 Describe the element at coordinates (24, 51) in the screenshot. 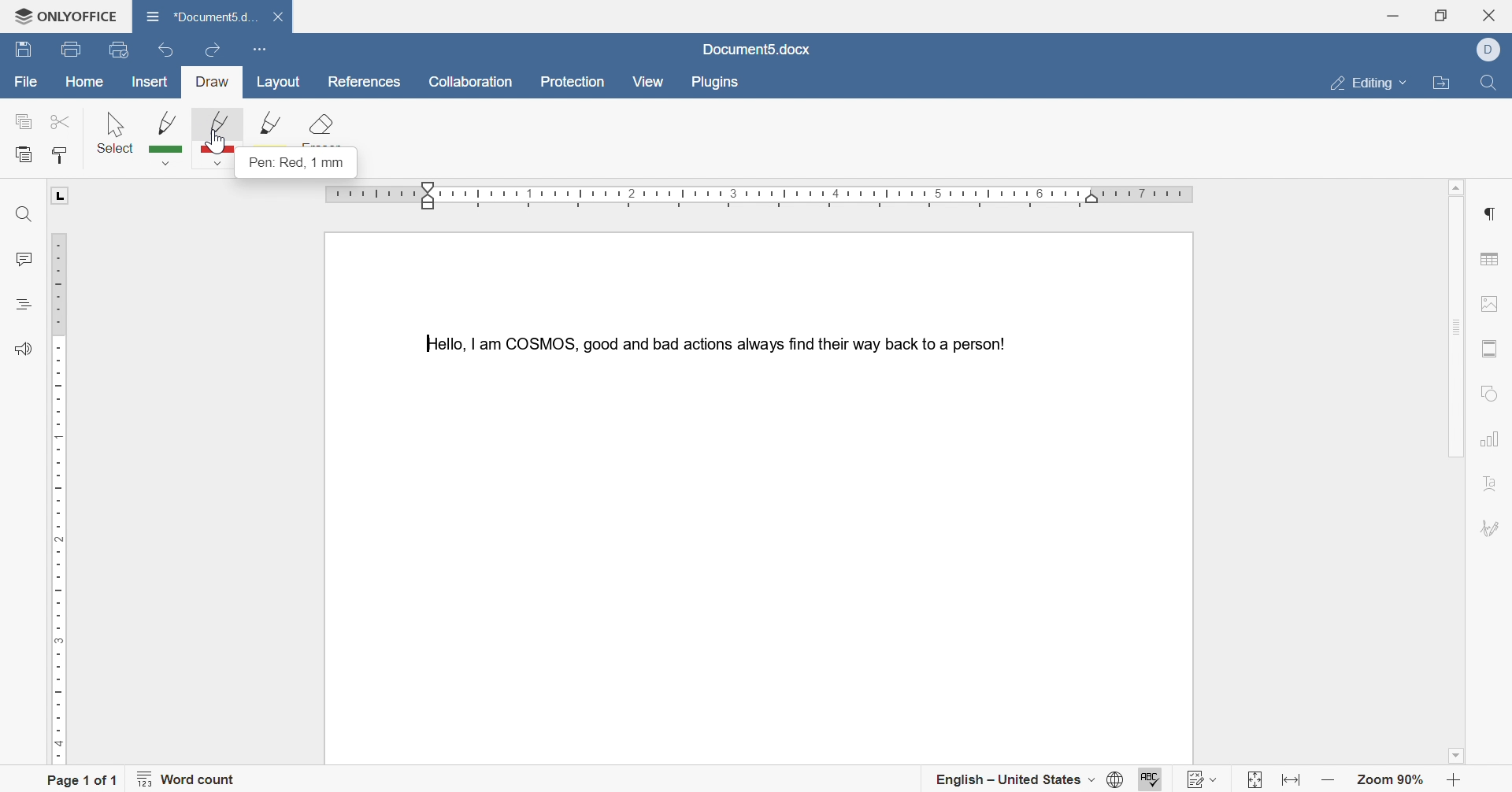

I see `save` at that location.